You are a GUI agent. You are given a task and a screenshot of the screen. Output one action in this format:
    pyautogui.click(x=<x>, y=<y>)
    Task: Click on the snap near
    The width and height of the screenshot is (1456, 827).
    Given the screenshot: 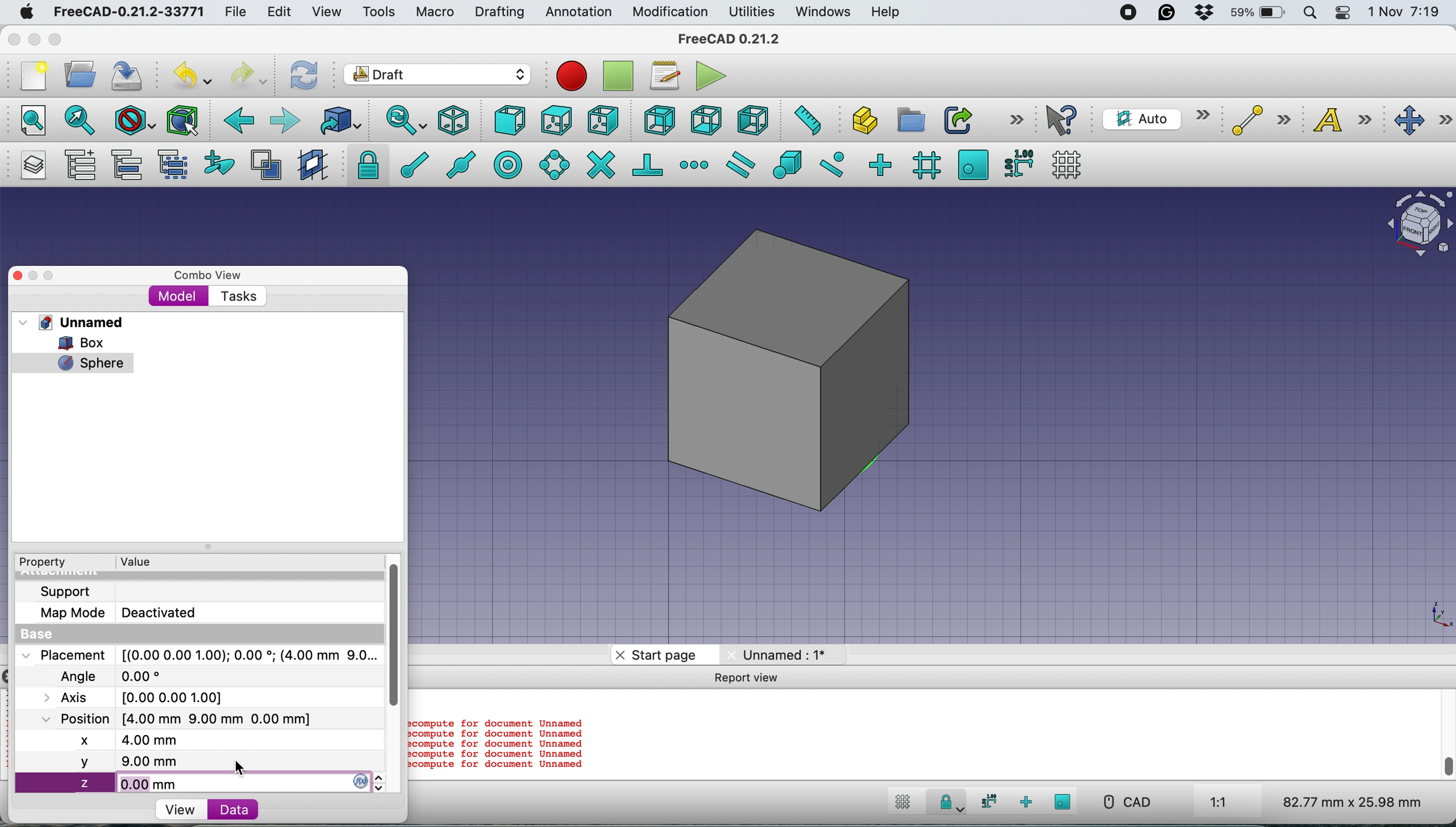 What is the action you would take?
    pyautogui.click(x=832, y=163)
    